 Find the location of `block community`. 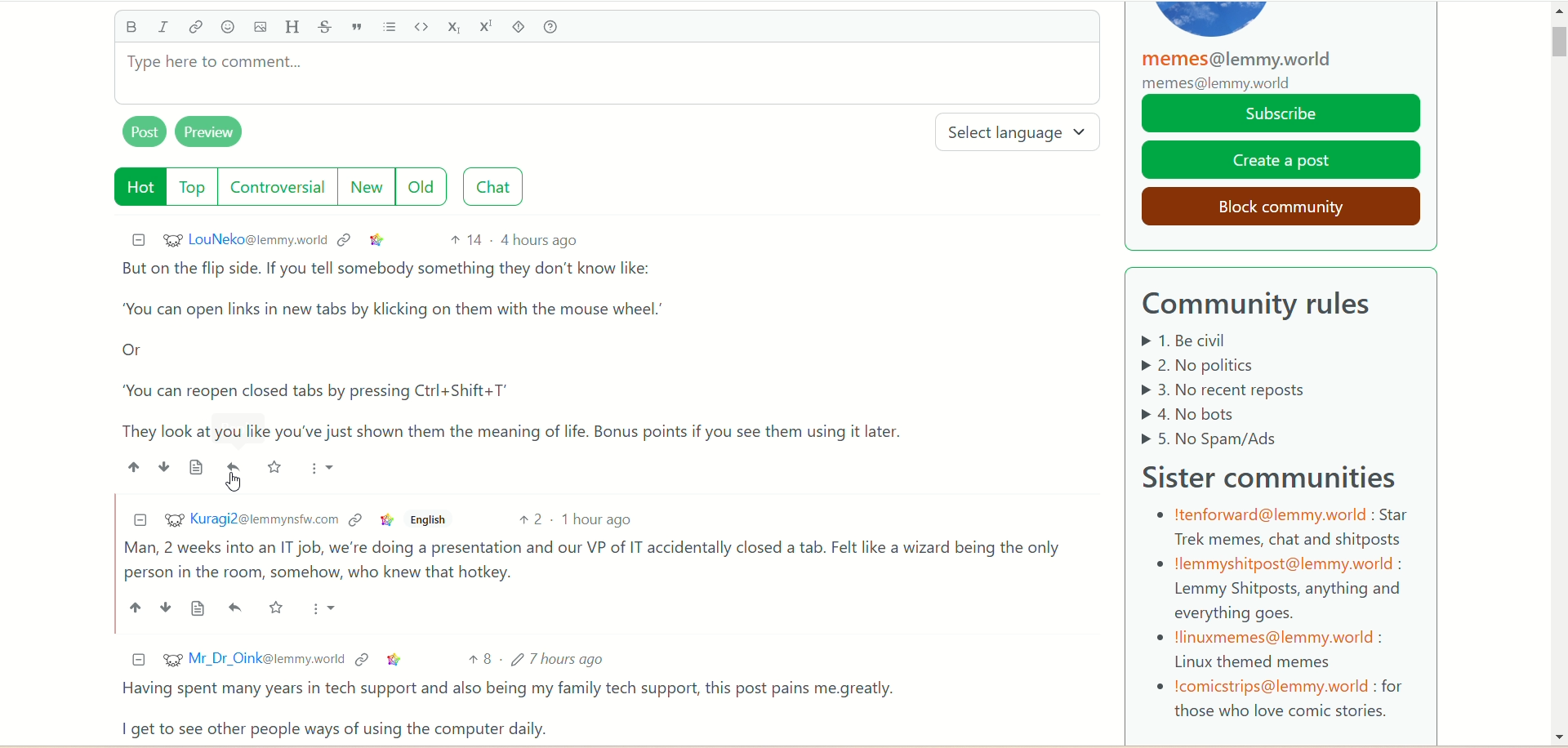

block community is located at coordinates (1275, 204).